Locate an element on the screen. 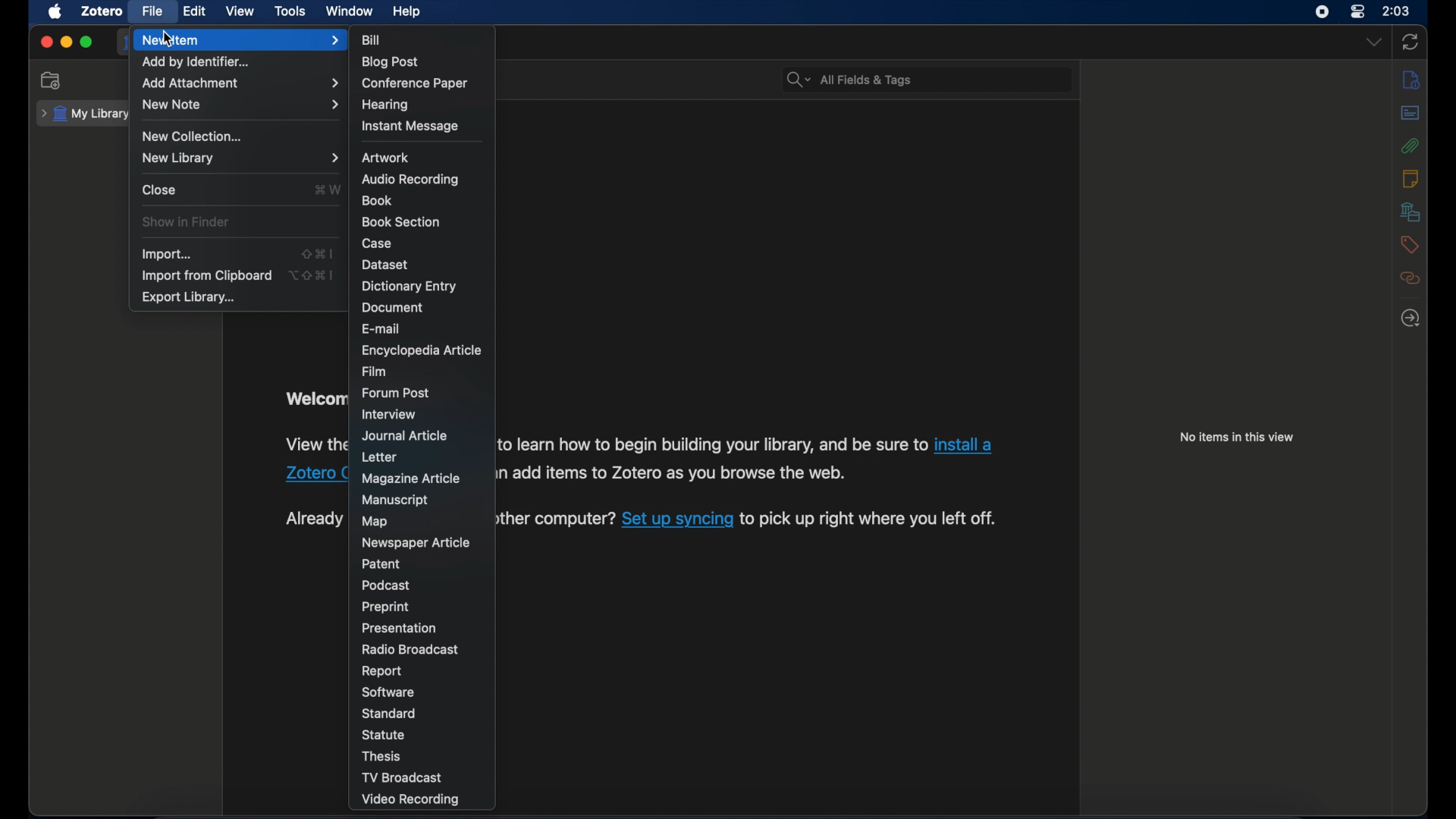 This screenshot has height=819, width=1456. text is located at coordinates (553, 519).